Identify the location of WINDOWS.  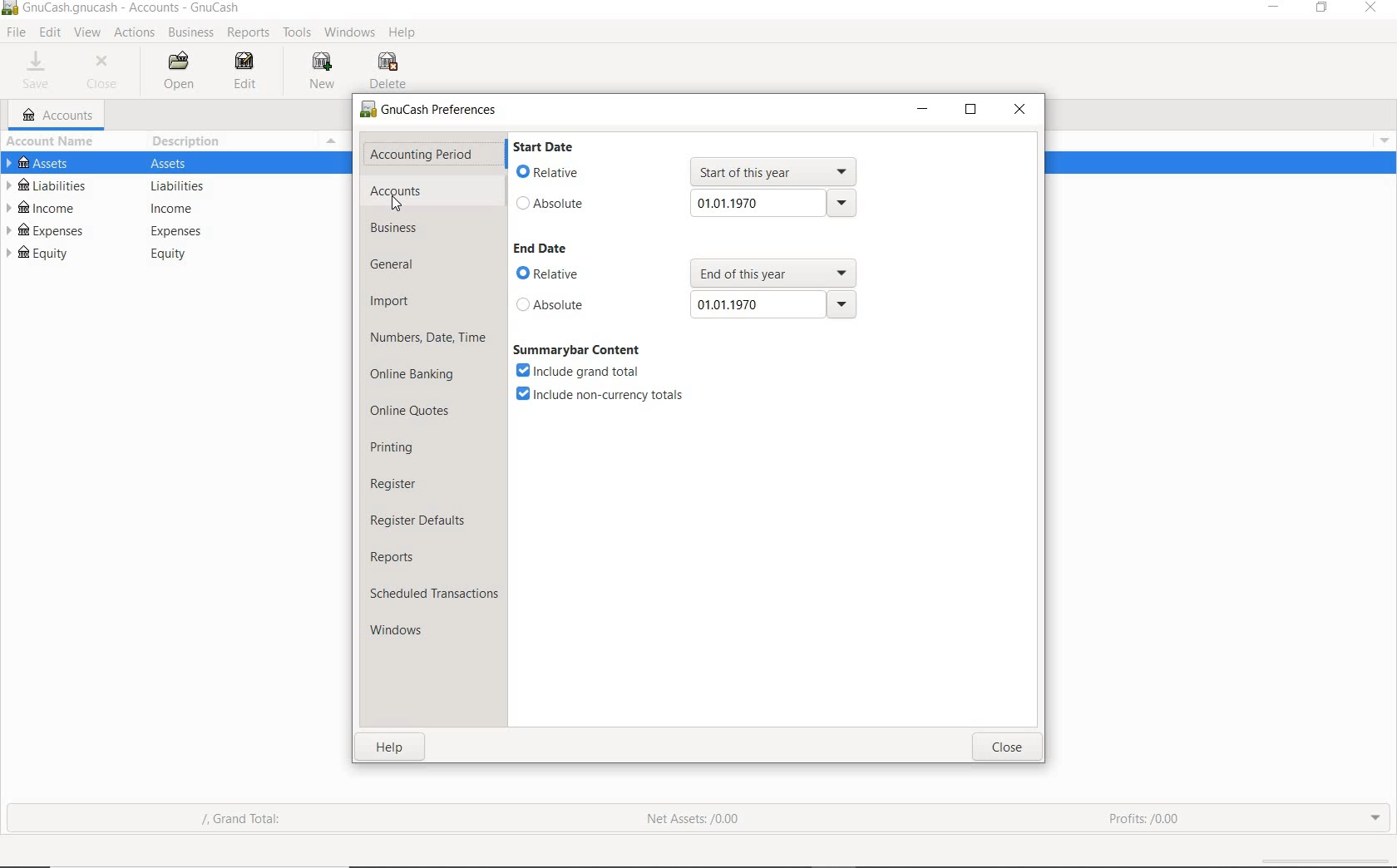
(347, 32).